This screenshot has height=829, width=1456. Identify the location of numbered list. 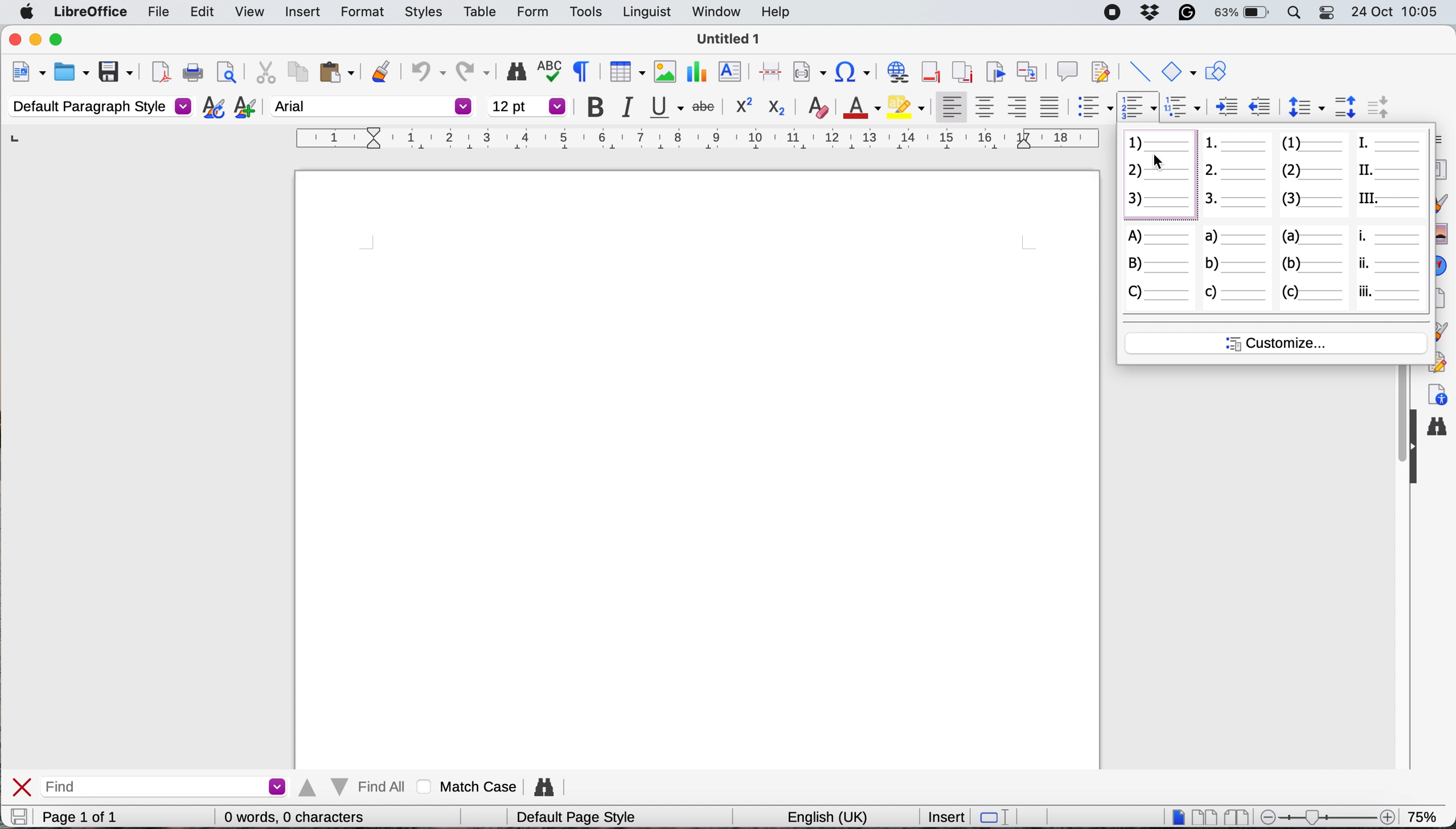
(1315, 173).